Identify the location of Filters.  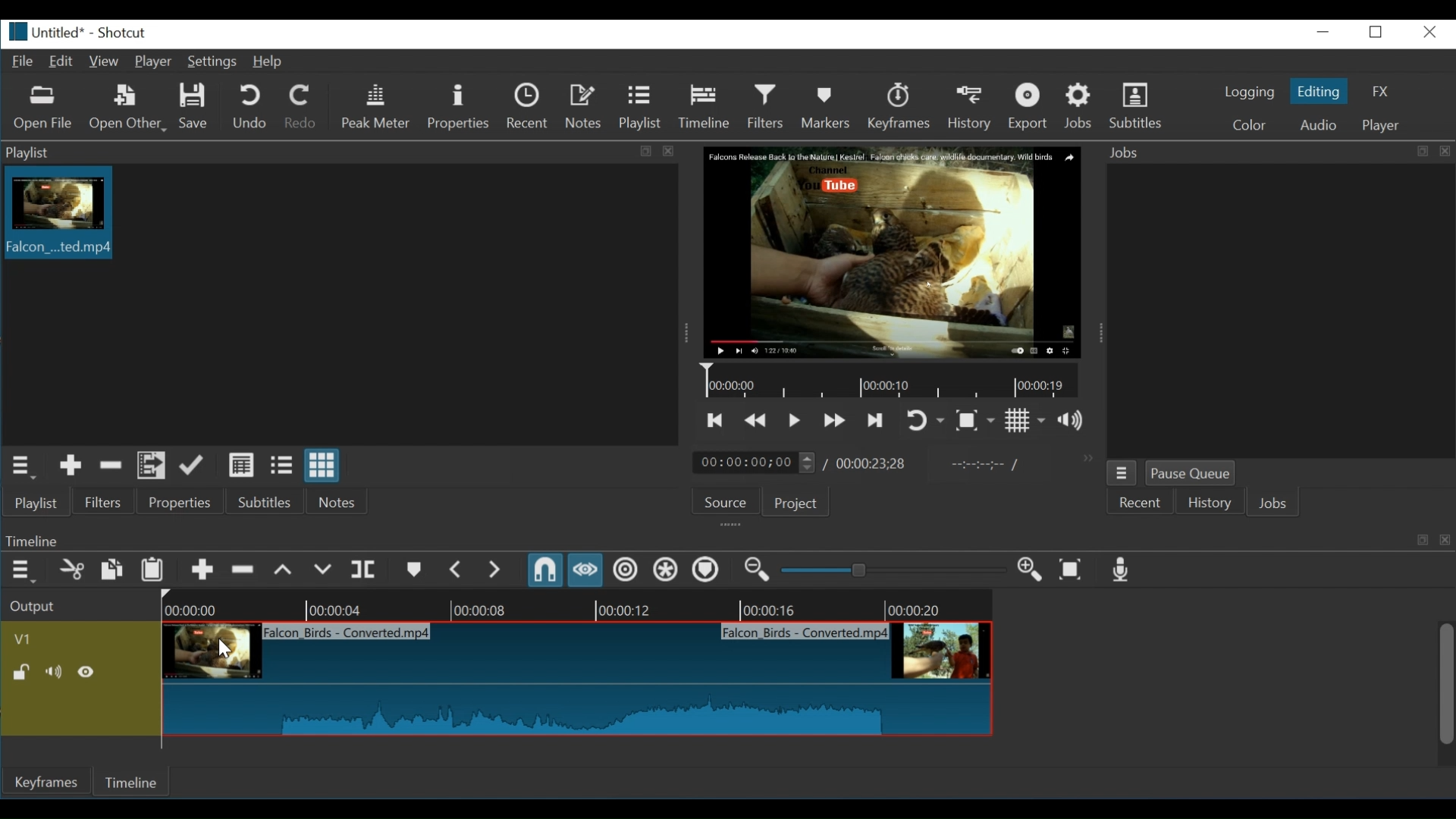
(104, 502).